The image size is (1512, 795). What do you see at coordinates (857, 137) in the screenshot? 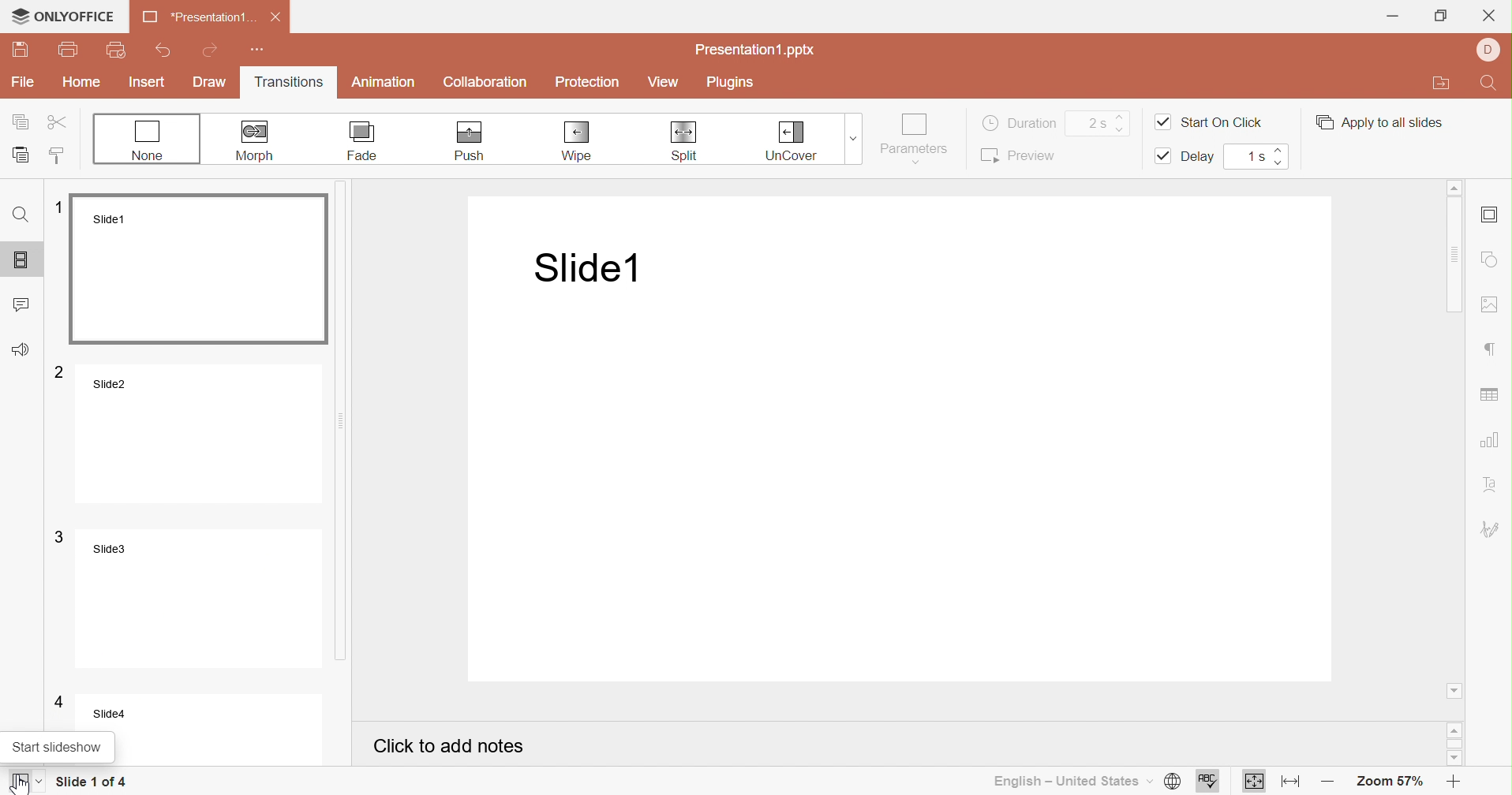
I see `Transitions drop down` at bounding box center [857, 137].